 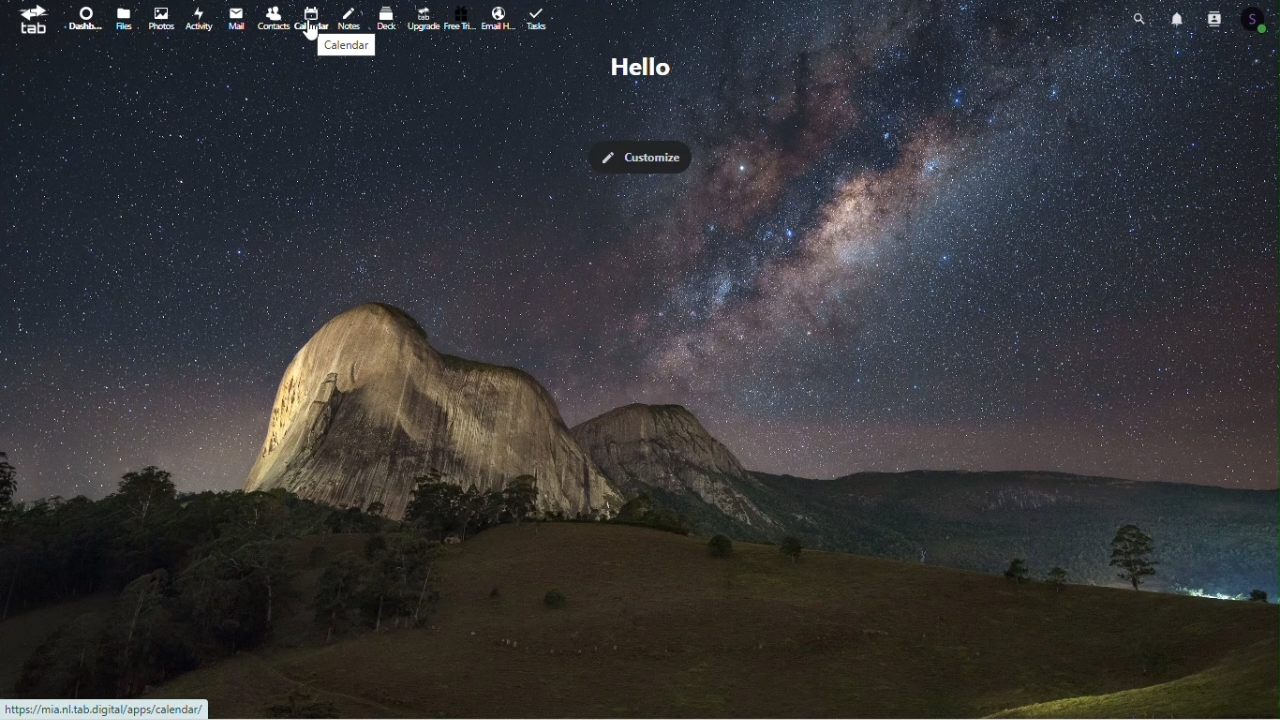 I want to click on calendar, so click(x=351, y=46).